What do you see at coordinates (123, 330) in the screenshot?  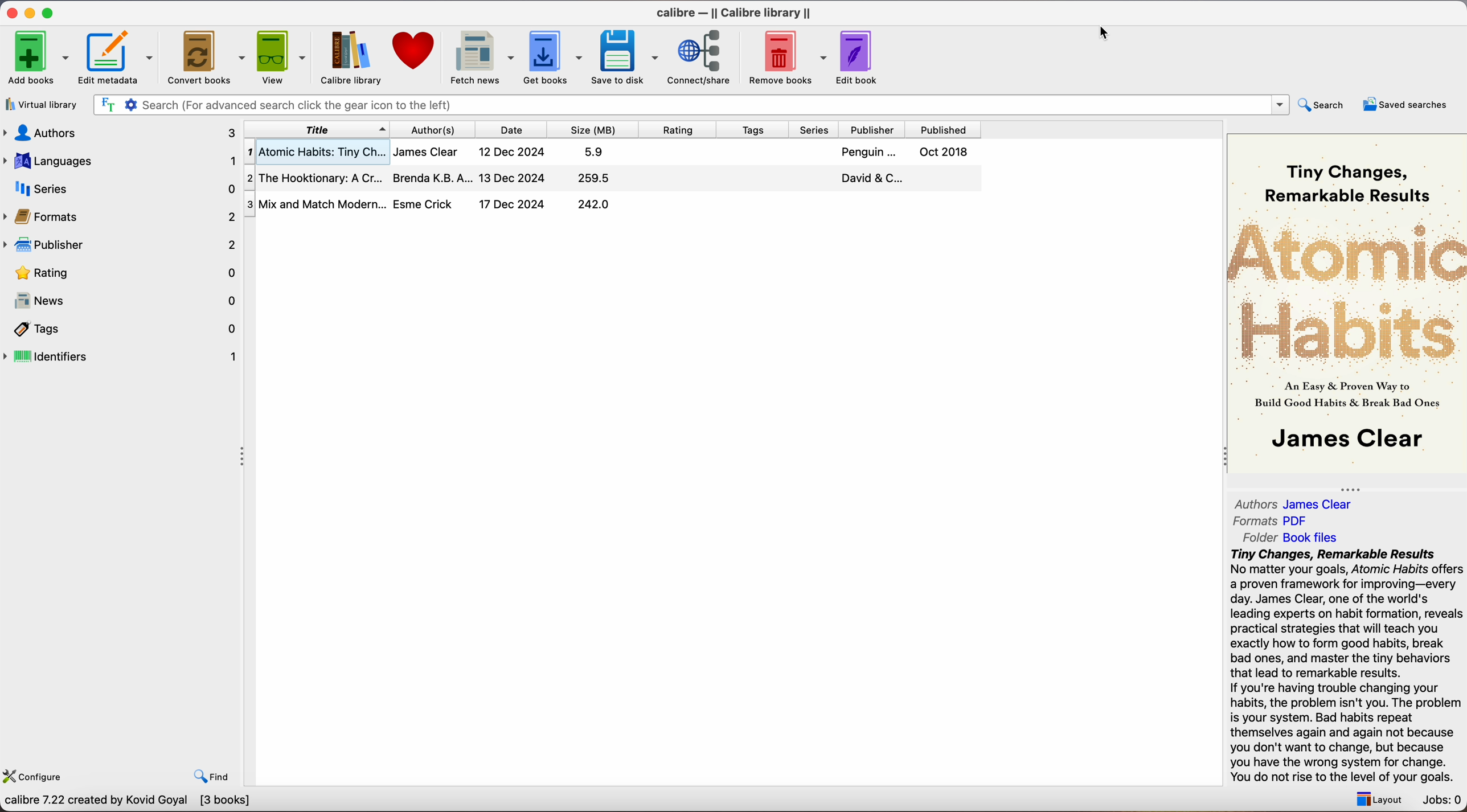 I see `tags` at bounding box center [123, 330].